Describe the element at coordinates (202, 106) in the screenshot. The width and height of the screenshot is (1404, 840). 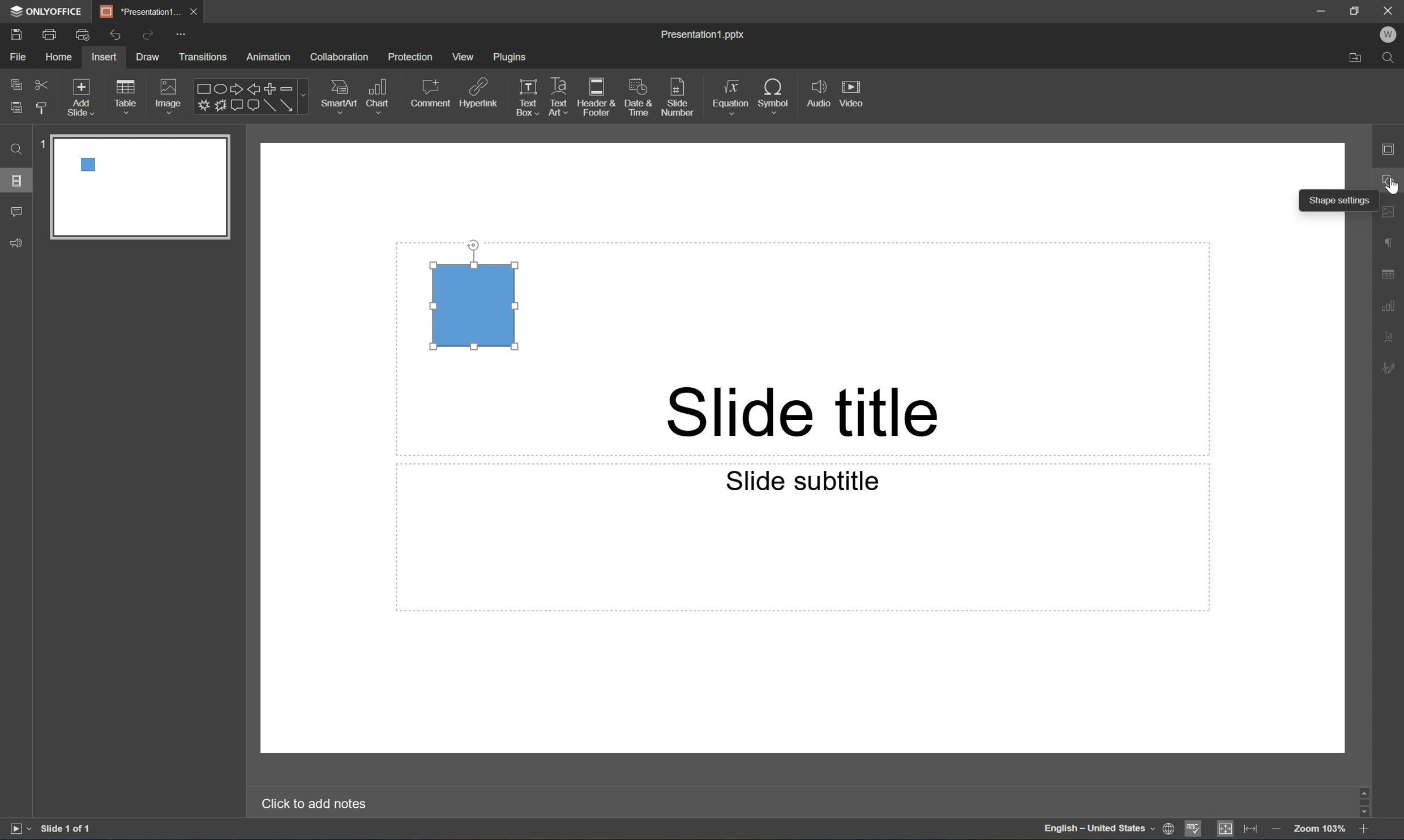
I see `` at that location.